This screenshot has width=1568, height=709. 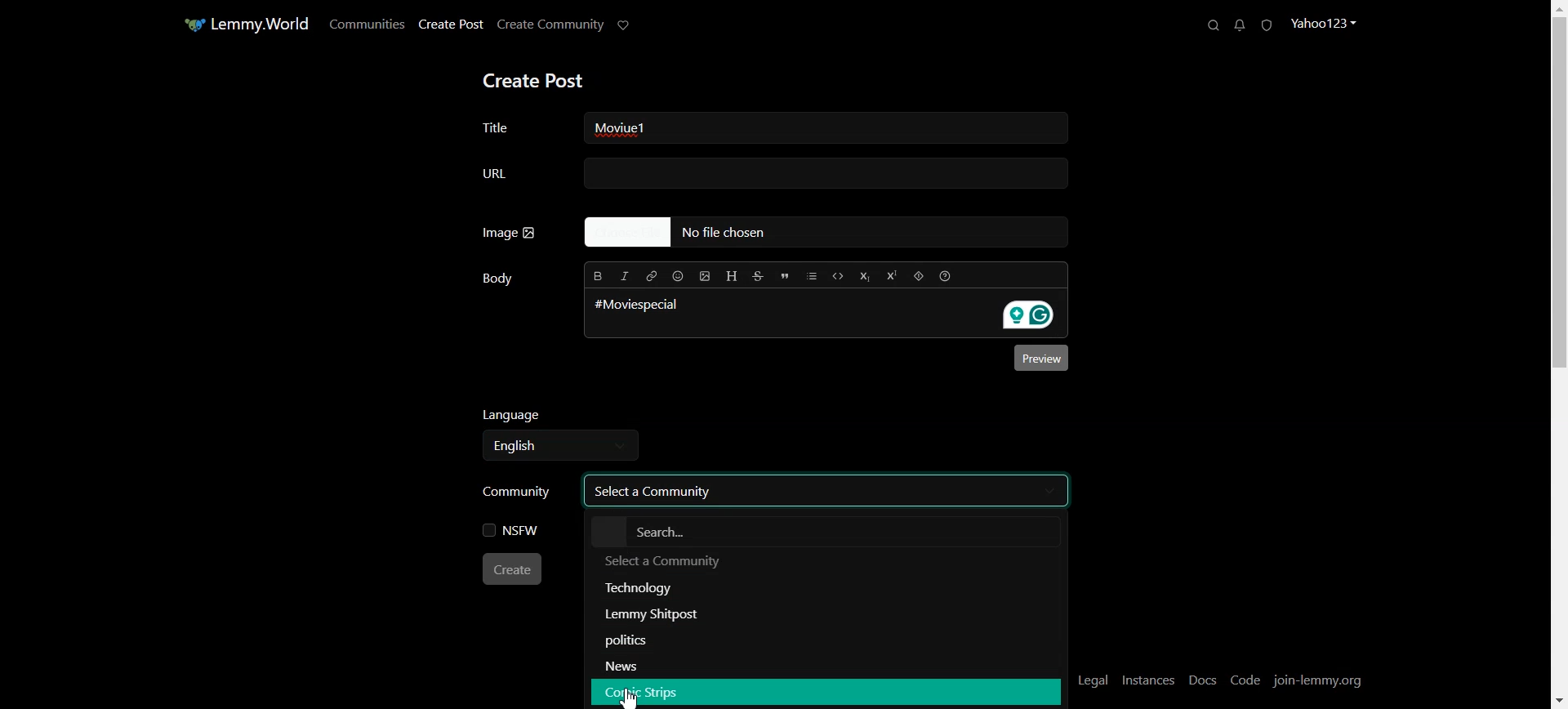 What do you see at coordinates (732, 275) in the screenshot?
I see `Header` at bounding box center [732, 275].